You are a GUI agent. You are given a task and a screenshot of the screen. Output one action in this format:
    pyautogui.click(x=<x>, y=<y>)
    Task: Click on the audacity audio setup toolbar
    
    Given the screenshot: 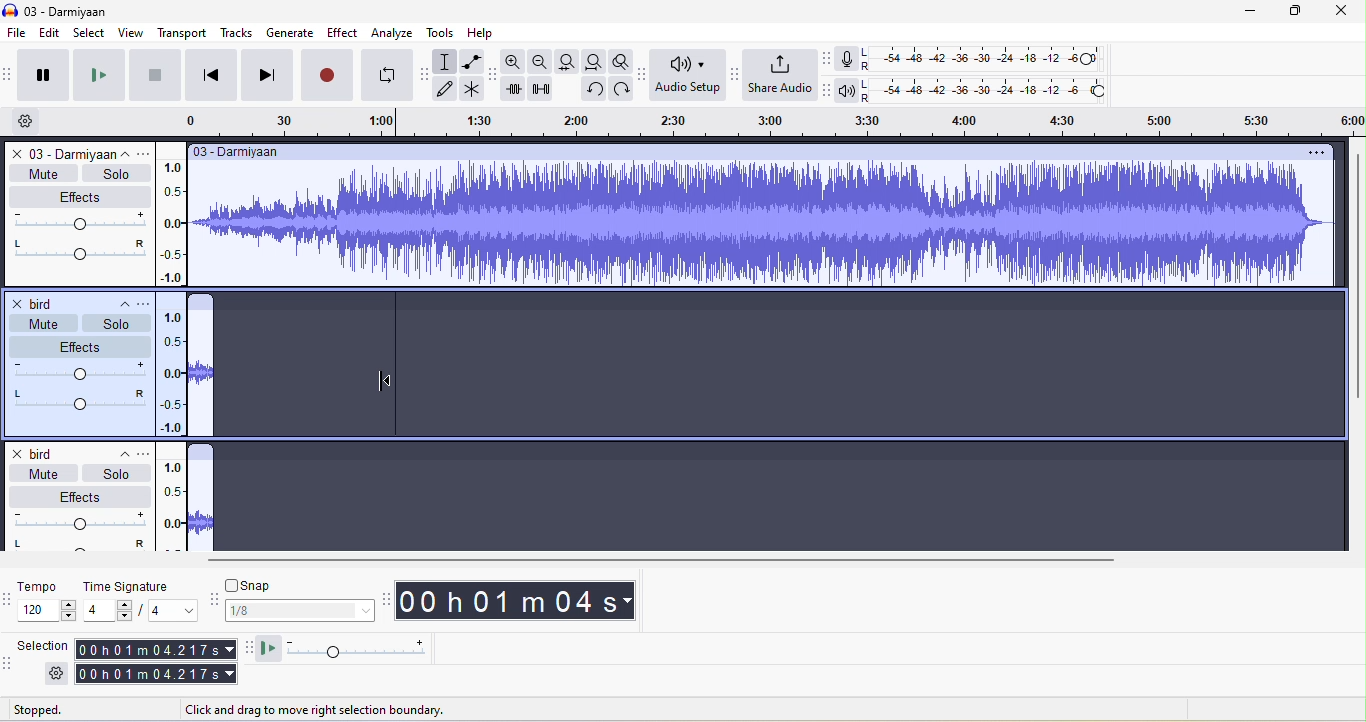 What is the action you would take?
    pyautogui.click(x=642, y=74)
    